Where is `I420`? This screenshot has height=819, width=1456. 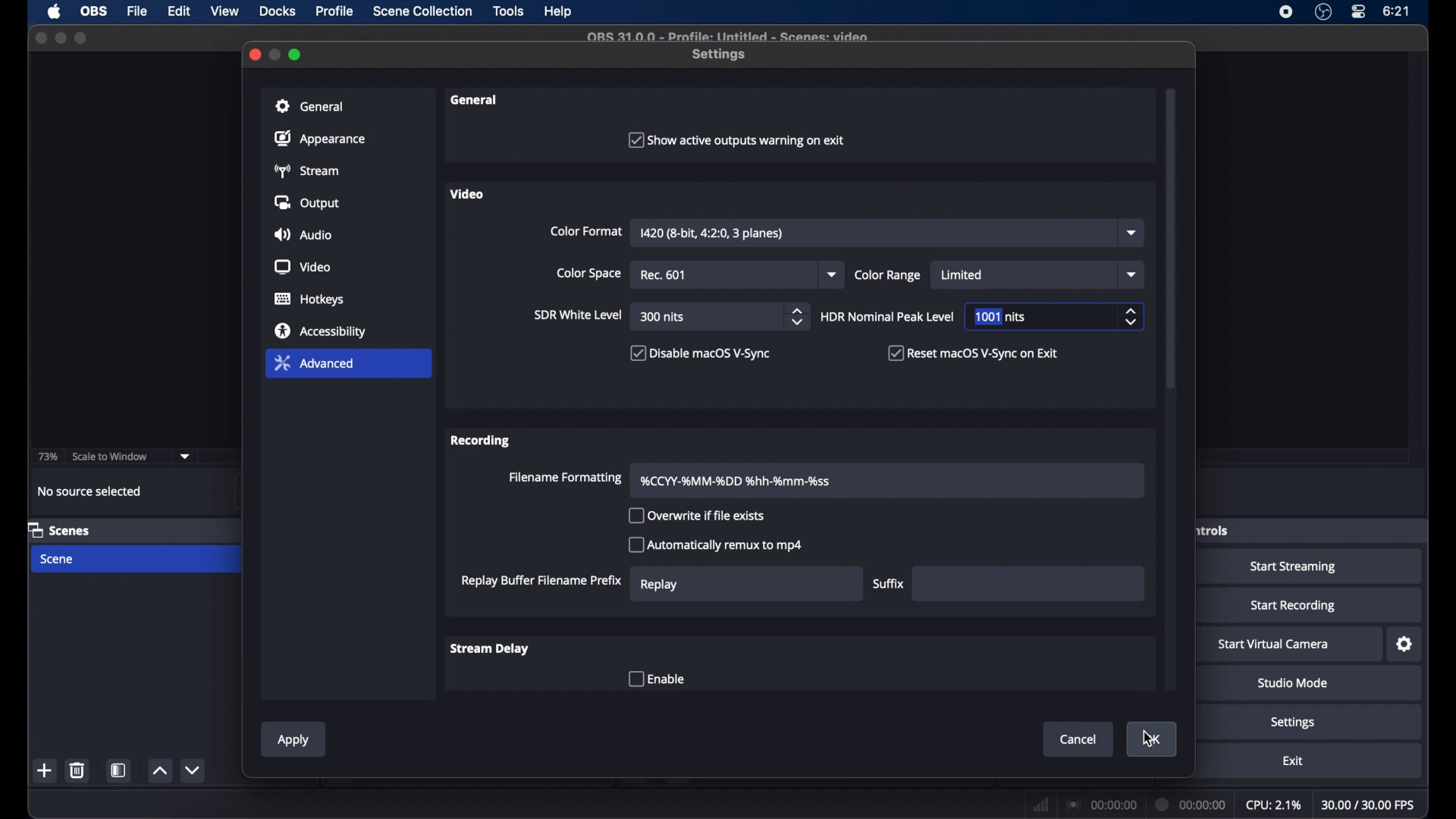 I420 is located at coordinates (711, 233).